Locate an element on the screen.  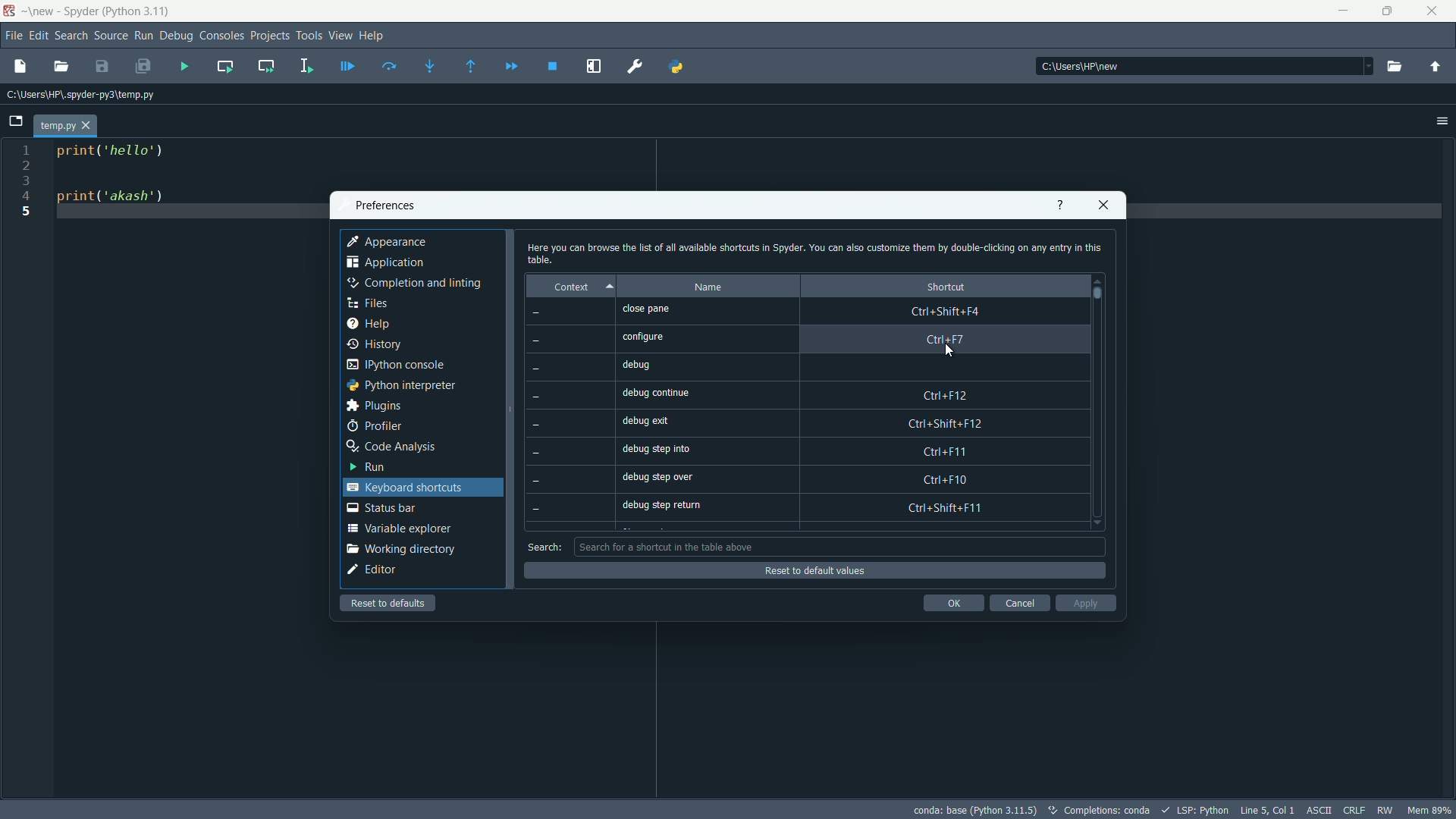
edit menu is located at coordinates (39, 36).